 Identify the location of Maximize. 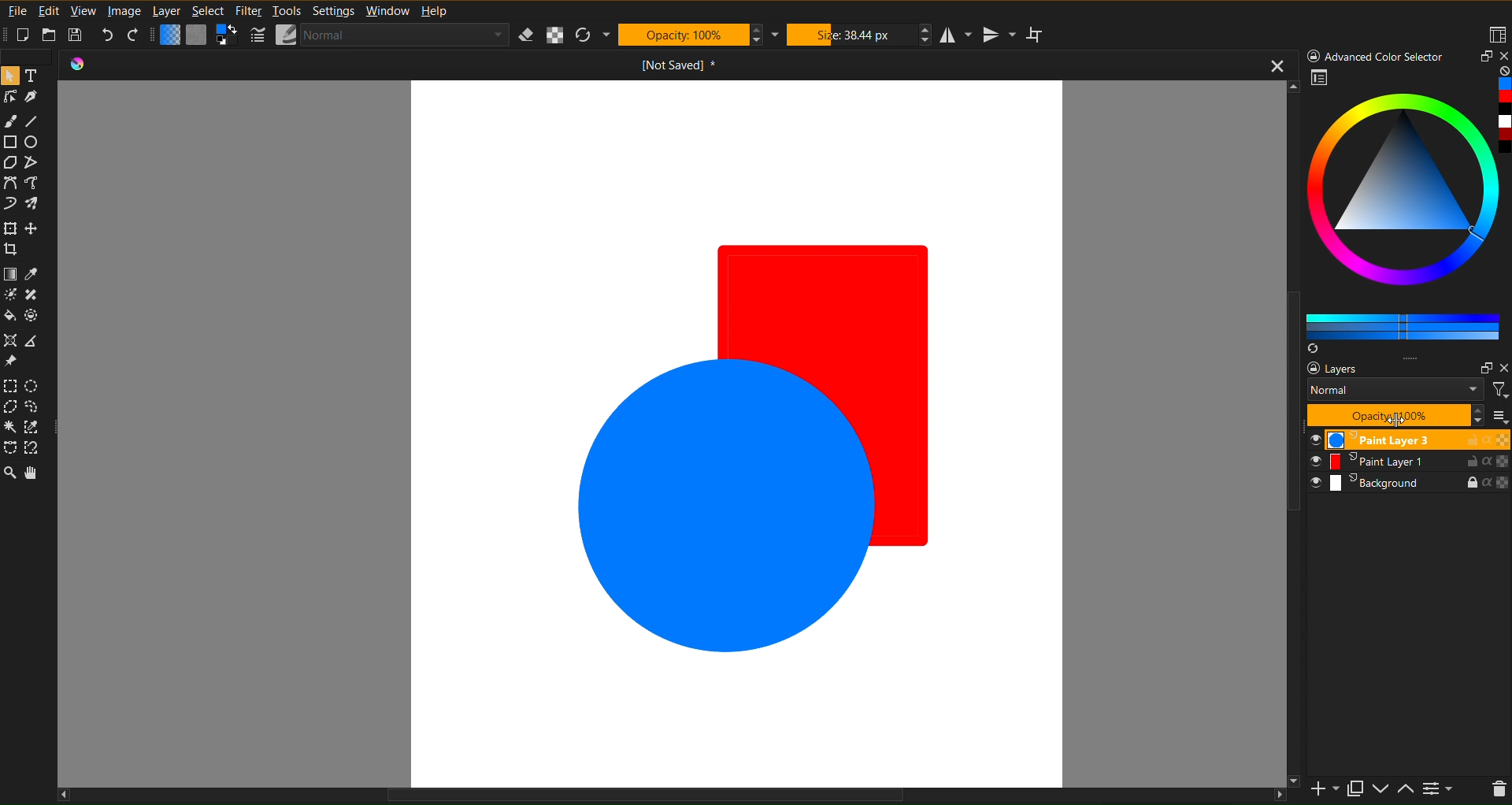
(1355, 786).